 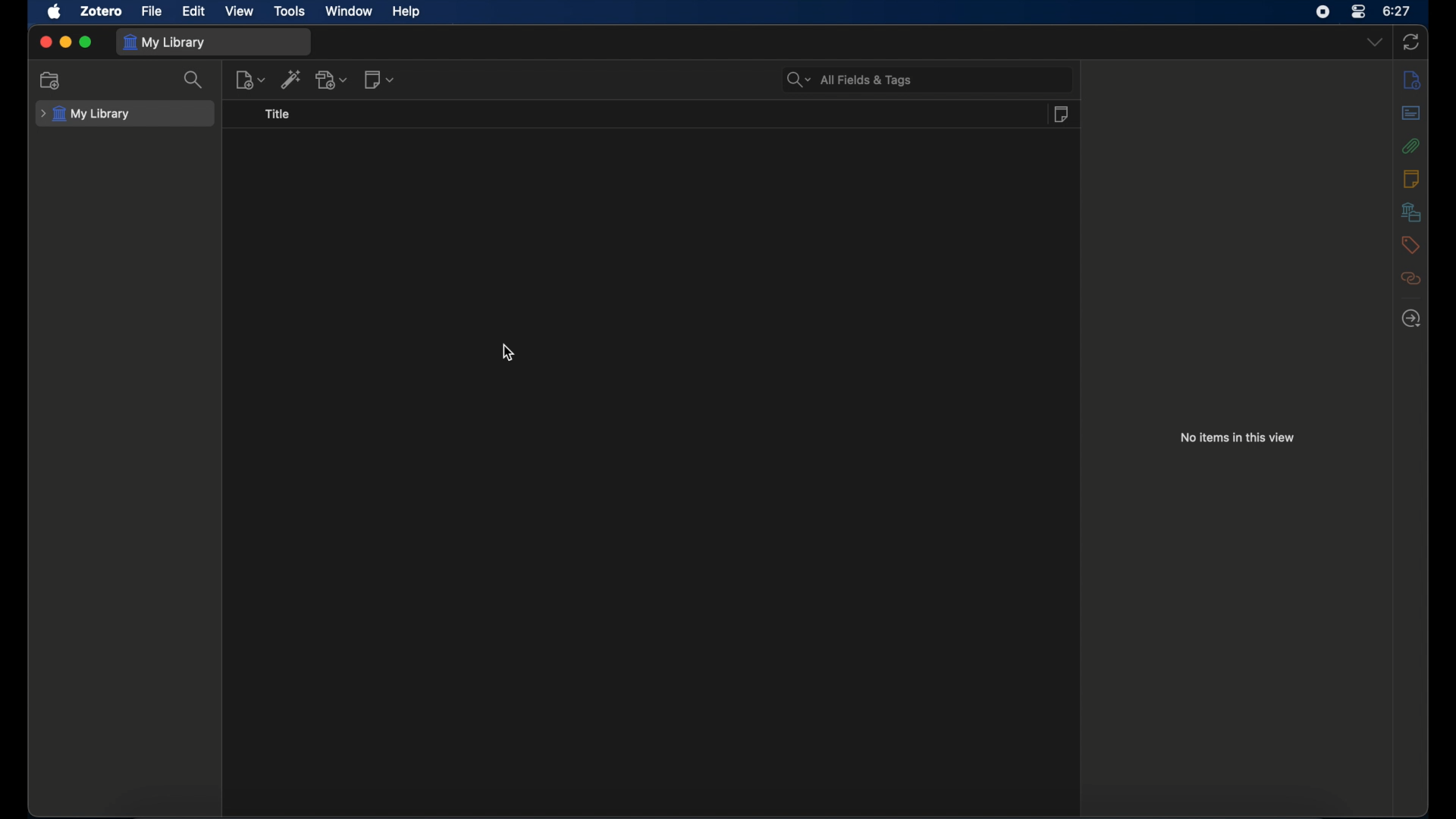 What do you see at coordinates (379, 80) in the screenshot?
I see `new notes` at bounding box center [379, 80].